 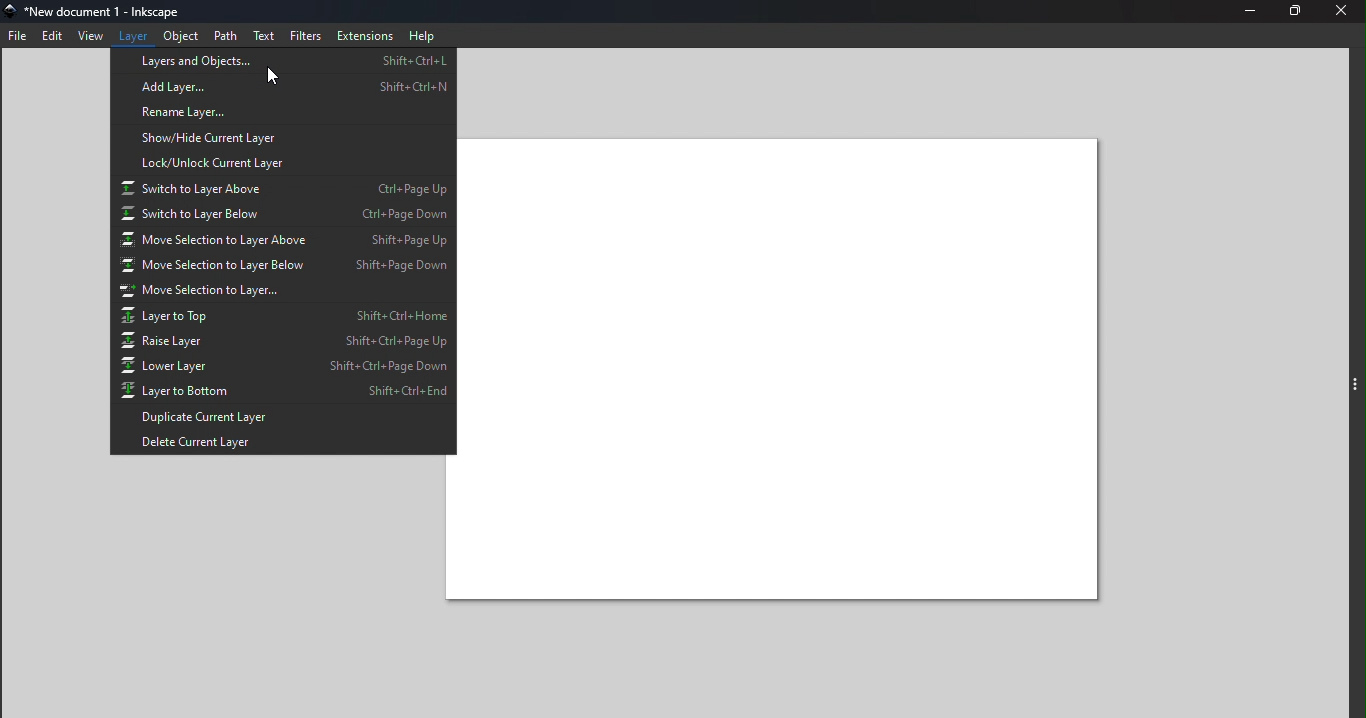 I want to click on File name, so click(x=104, y=11).